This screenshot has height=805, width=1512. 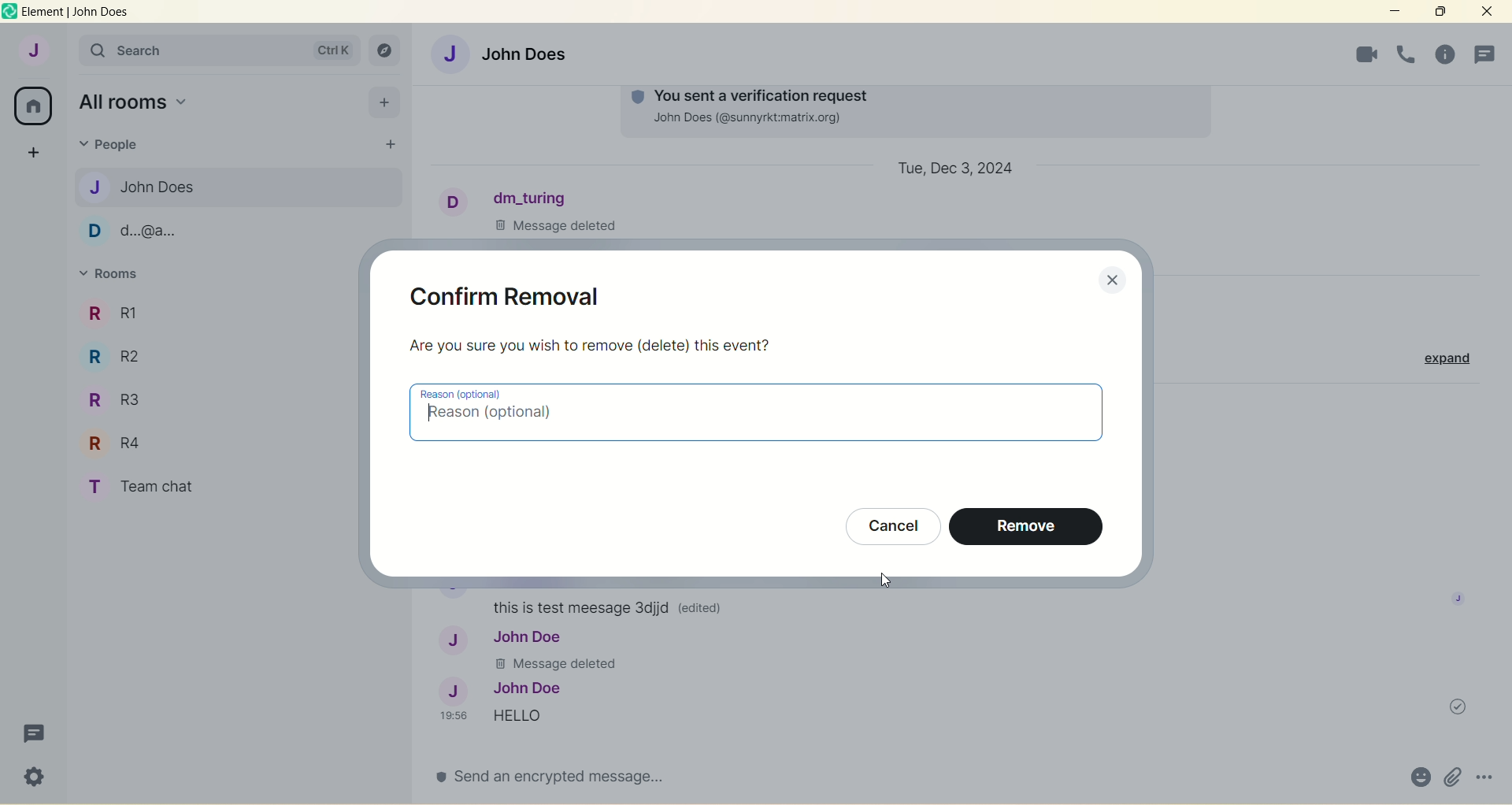 What do you see at coordinates (616, 607) in the screenshot?
I see `this is test message Sdjjd (edited)` at bounding box center [616, 607].